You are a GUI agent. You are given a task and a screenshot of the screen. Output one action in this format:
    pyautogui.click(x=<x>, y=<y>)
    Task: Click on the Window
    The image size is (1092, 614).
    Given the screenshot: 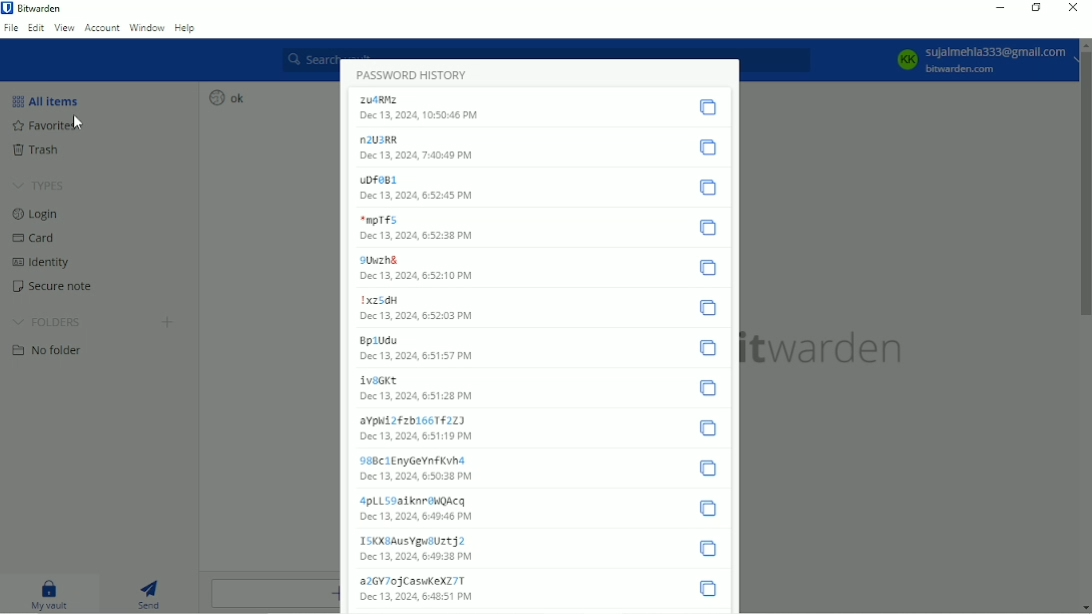 What is the action you would take?
    pyautogui.click(x=146, y=27)
    